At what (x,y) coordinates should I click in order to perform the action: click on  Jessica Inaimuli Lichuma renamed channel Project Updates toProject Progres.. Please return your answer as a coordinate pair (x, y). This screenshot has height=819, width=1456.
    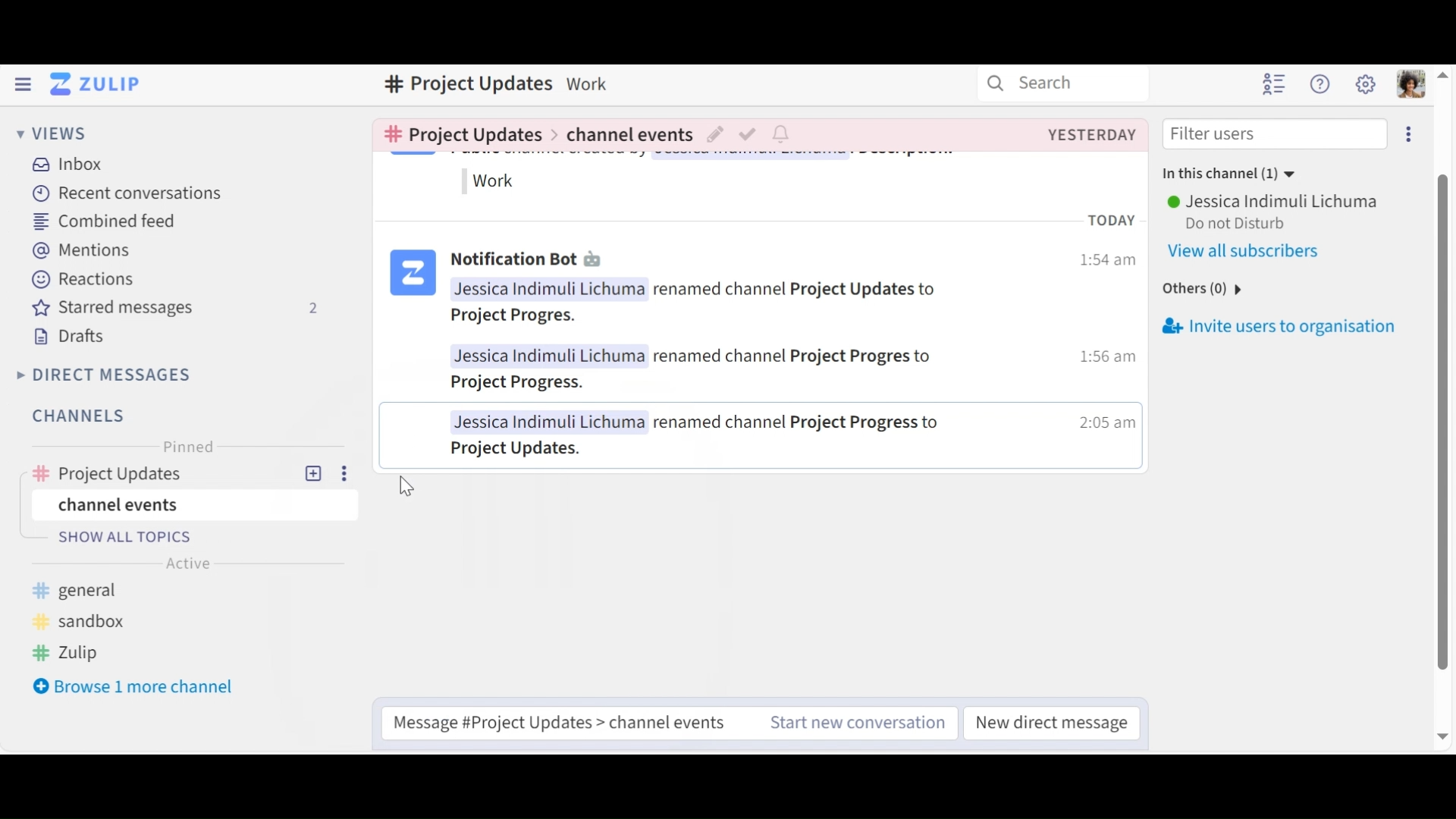
    Looking at the image, I should click on (695, 304).